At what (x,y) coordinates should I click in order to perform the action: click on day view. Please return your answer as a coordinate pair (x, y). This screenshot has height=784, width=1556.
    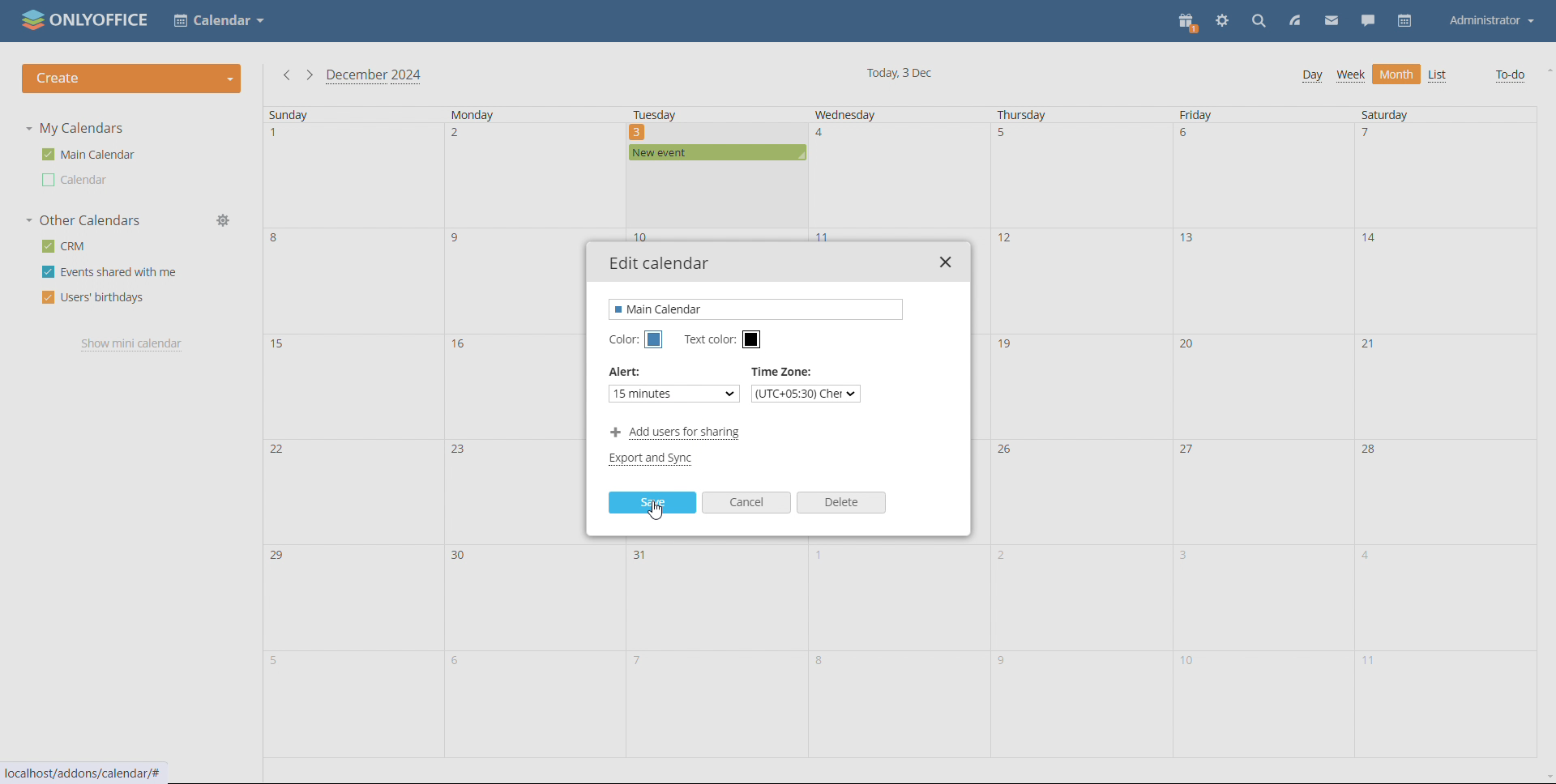
    Looking at the image, I should click on (1312, 76).